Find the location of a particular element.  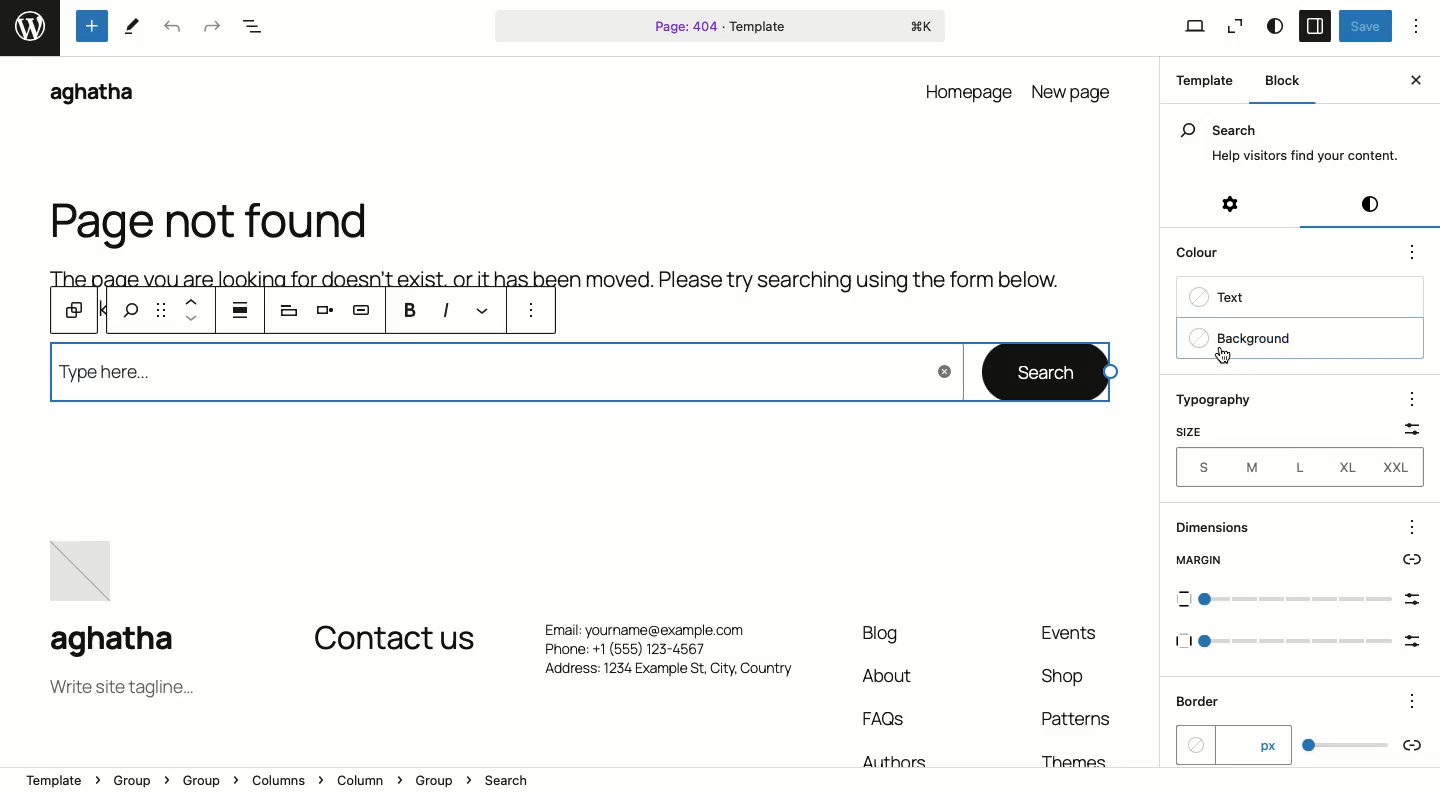

Phone: +1 (555) 123-4567 is located at coordinates (665, 650).